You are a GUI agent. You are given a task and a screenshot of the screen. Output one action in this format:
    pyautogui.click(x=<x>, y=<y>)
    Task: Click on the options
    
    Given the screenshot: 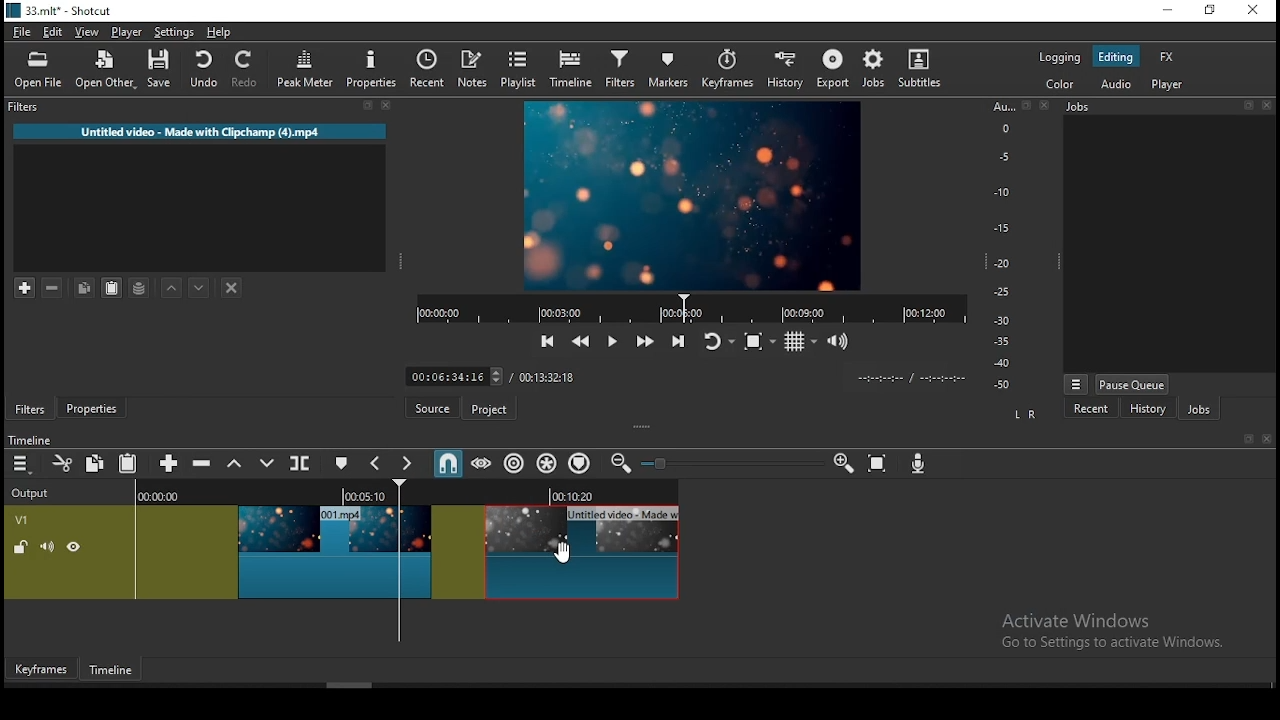 What is the action you would take?
    pyautogui.click(x=1076, y=382)
    